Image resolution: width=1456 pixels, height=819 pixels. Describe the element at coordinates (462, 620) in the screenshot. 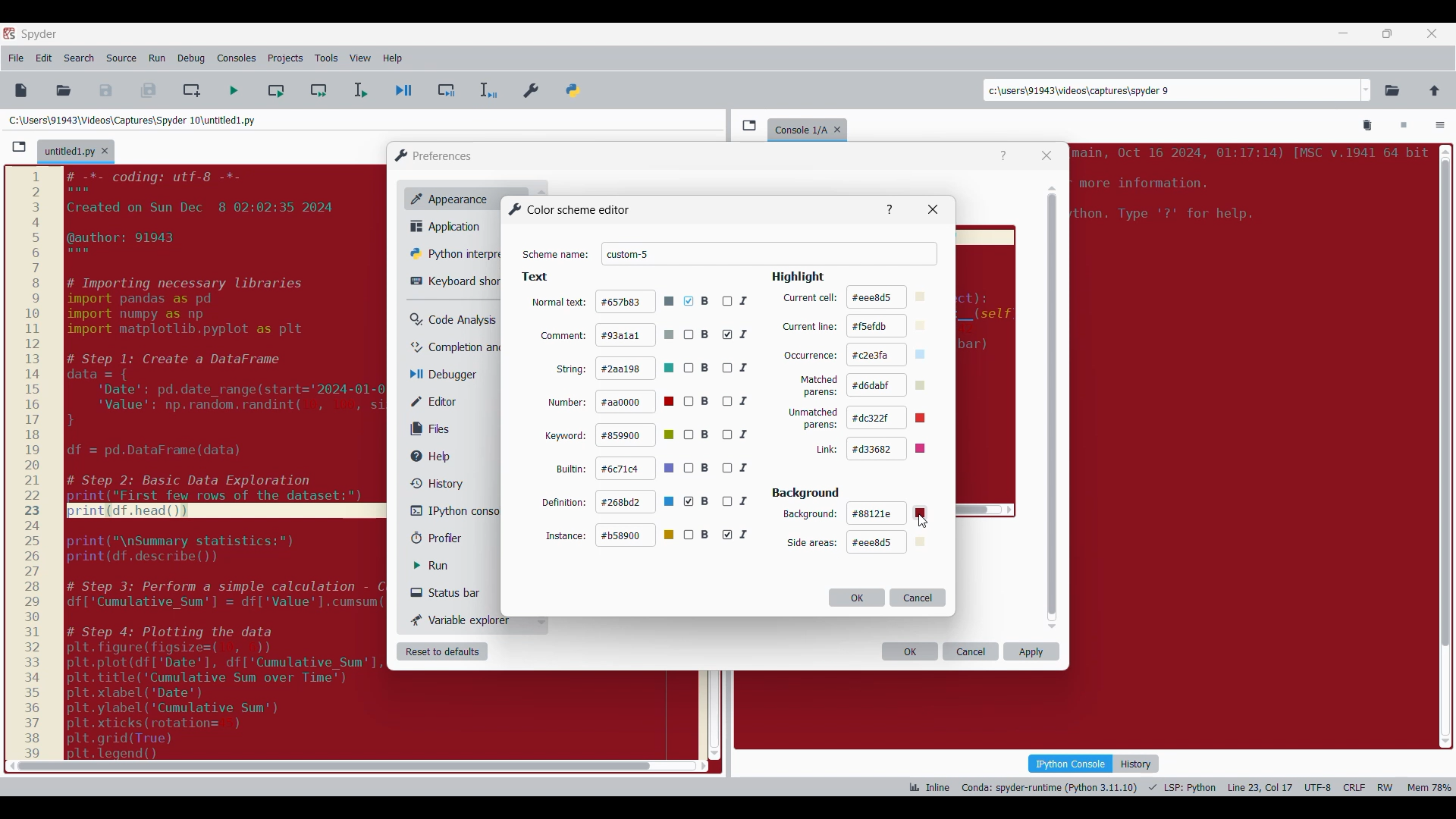

I see `Variable explorer` at that location.